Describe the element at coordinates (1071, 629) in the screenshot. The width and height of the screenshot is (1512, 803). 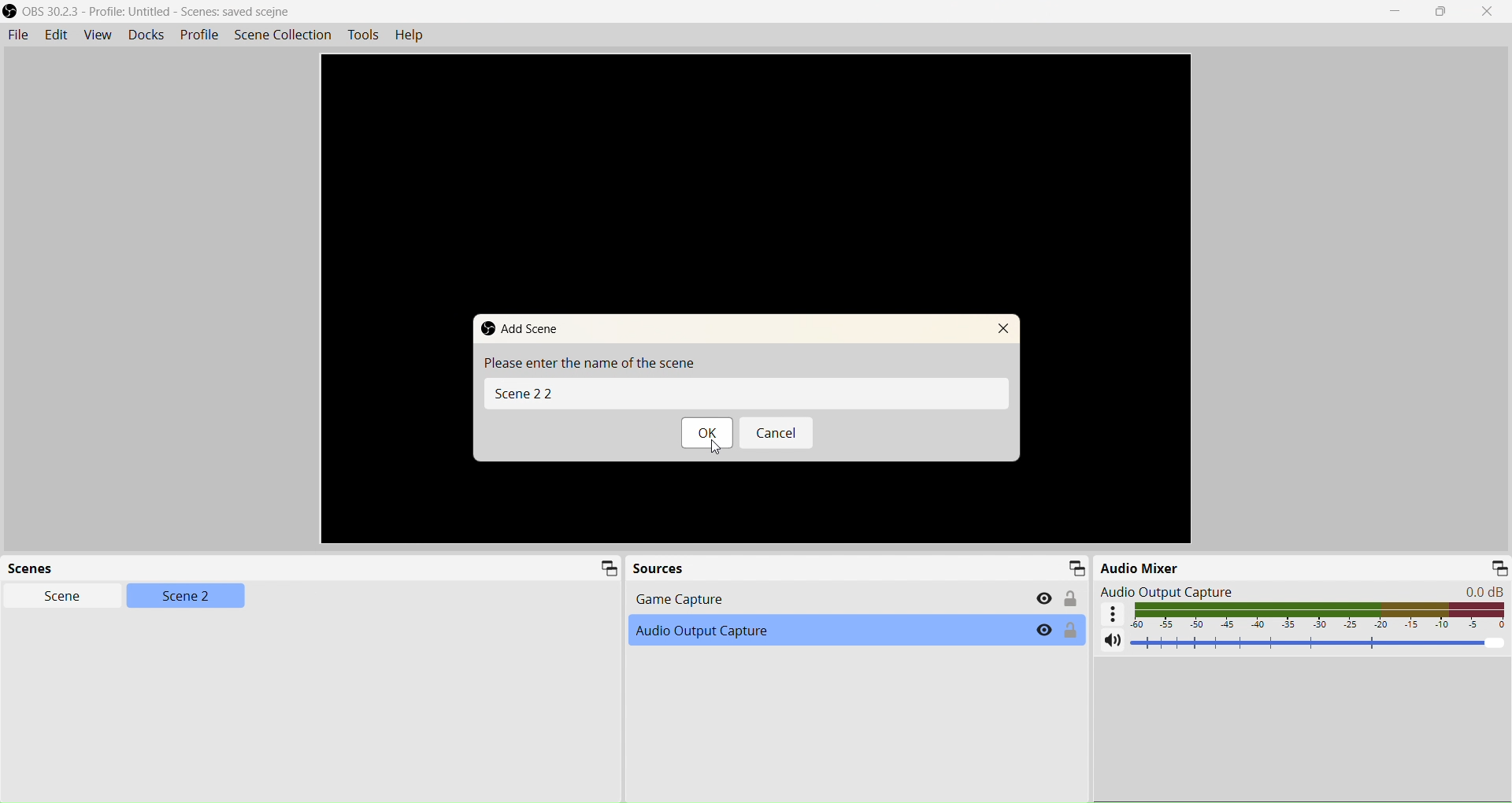
I see `Lock` at that location.